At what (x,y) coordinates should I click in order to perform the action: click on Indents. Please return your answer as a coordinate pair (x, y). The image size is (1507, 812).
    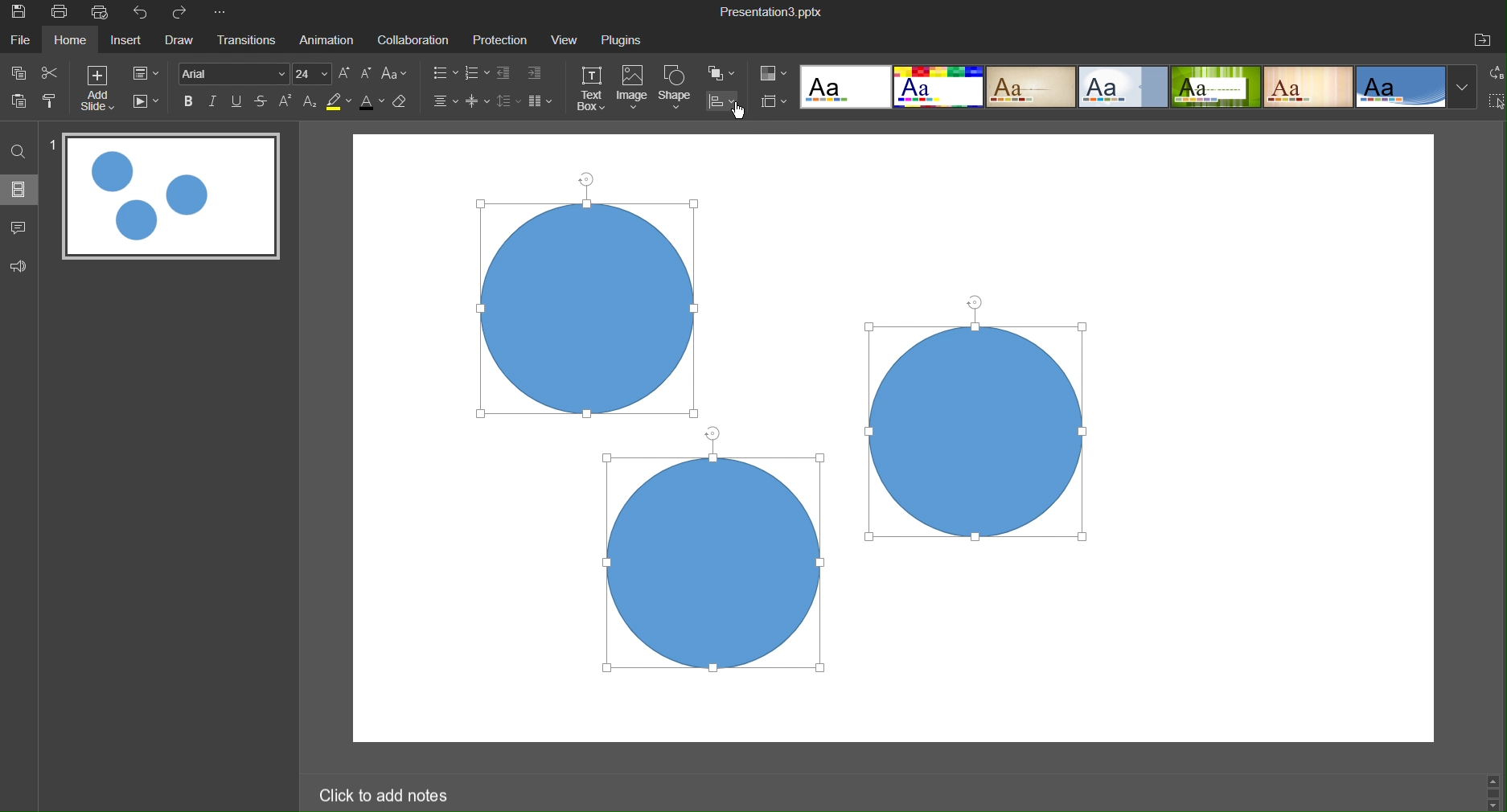
    Looking at the image, I should click on (523, 74).